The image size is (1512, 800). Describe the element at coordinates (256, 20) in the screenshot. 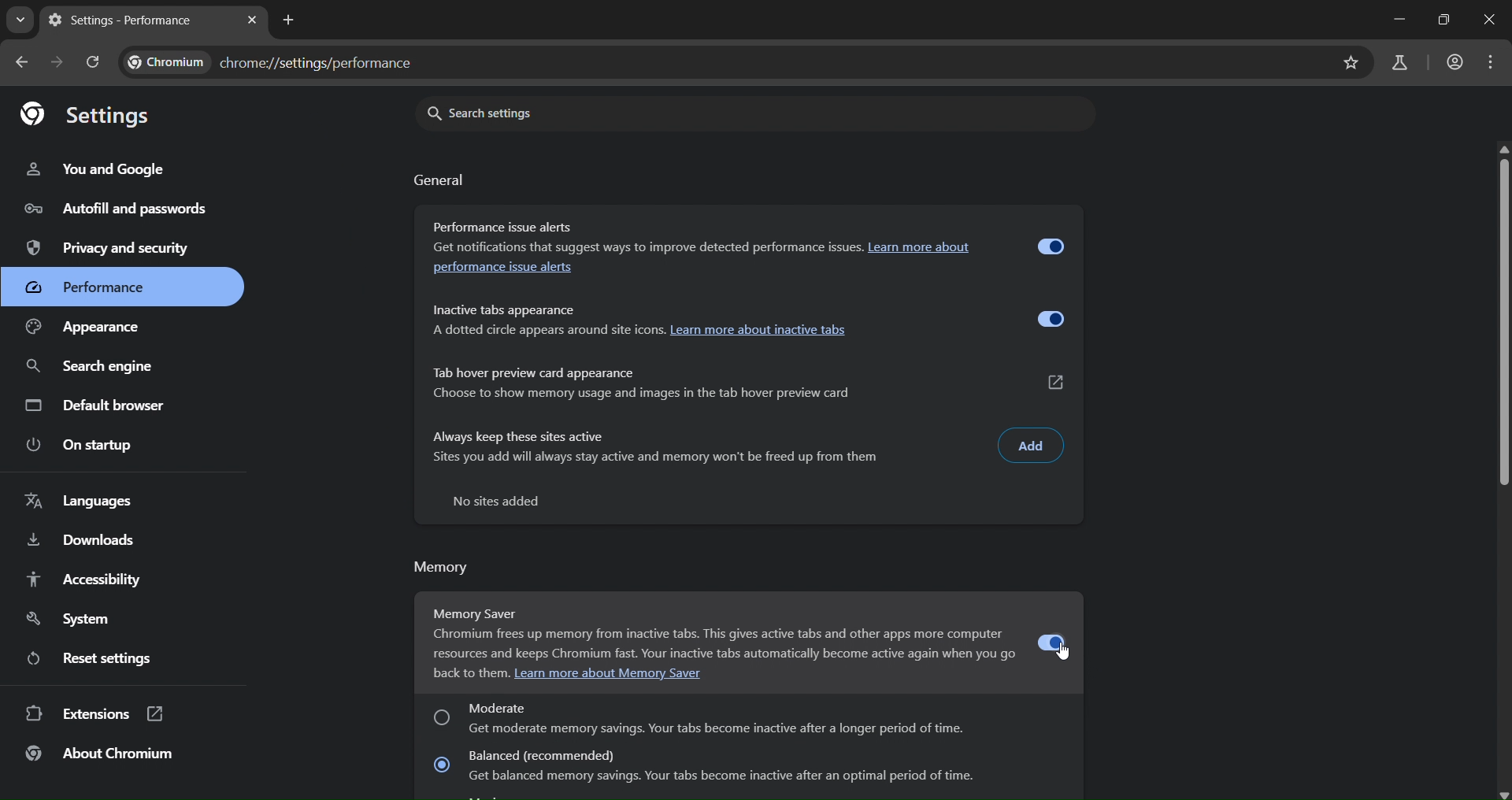

I see `close tab` at that location.